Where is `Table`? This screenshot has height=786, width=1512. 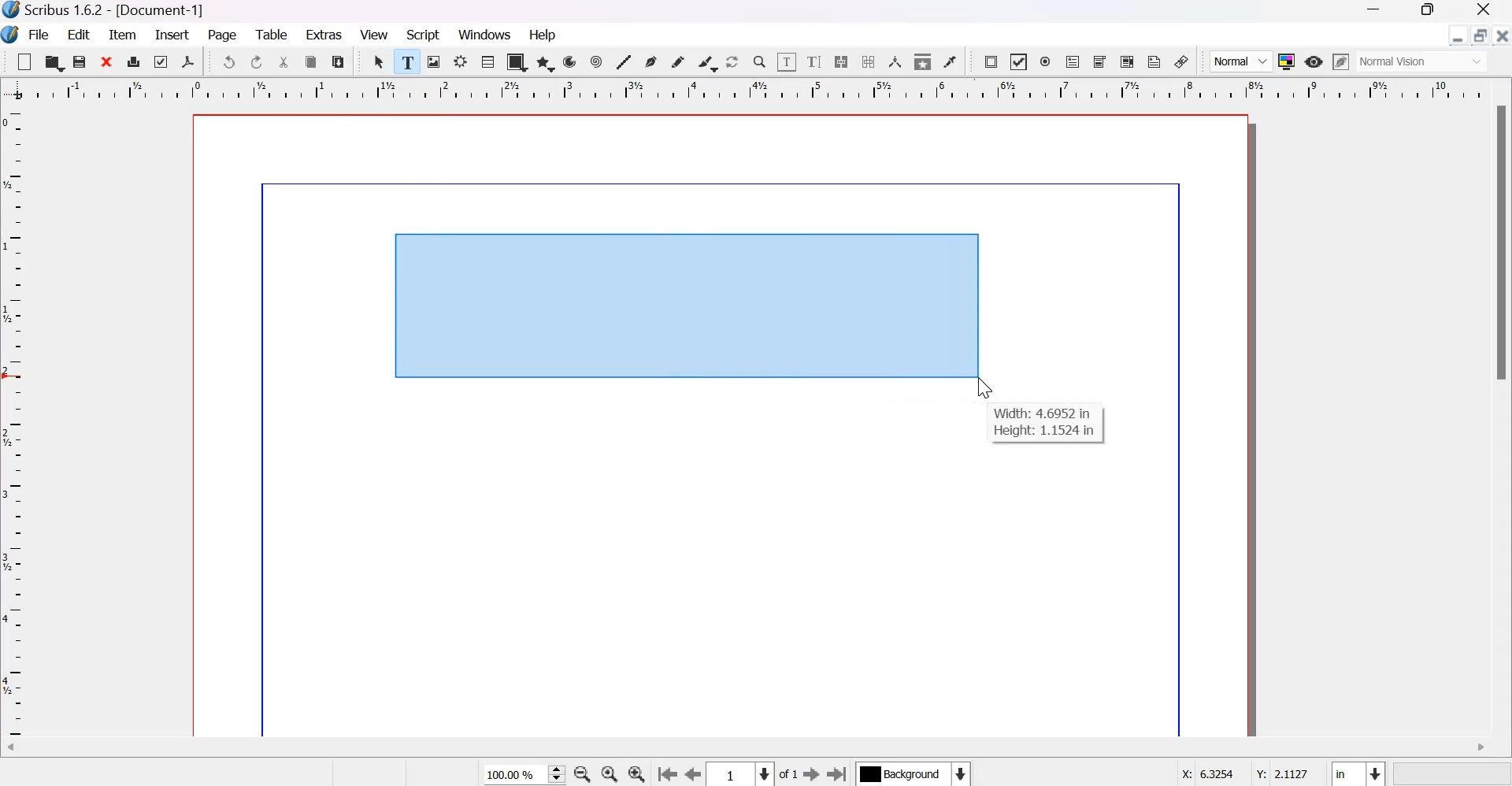
Table is located at coordinates (487, 61).